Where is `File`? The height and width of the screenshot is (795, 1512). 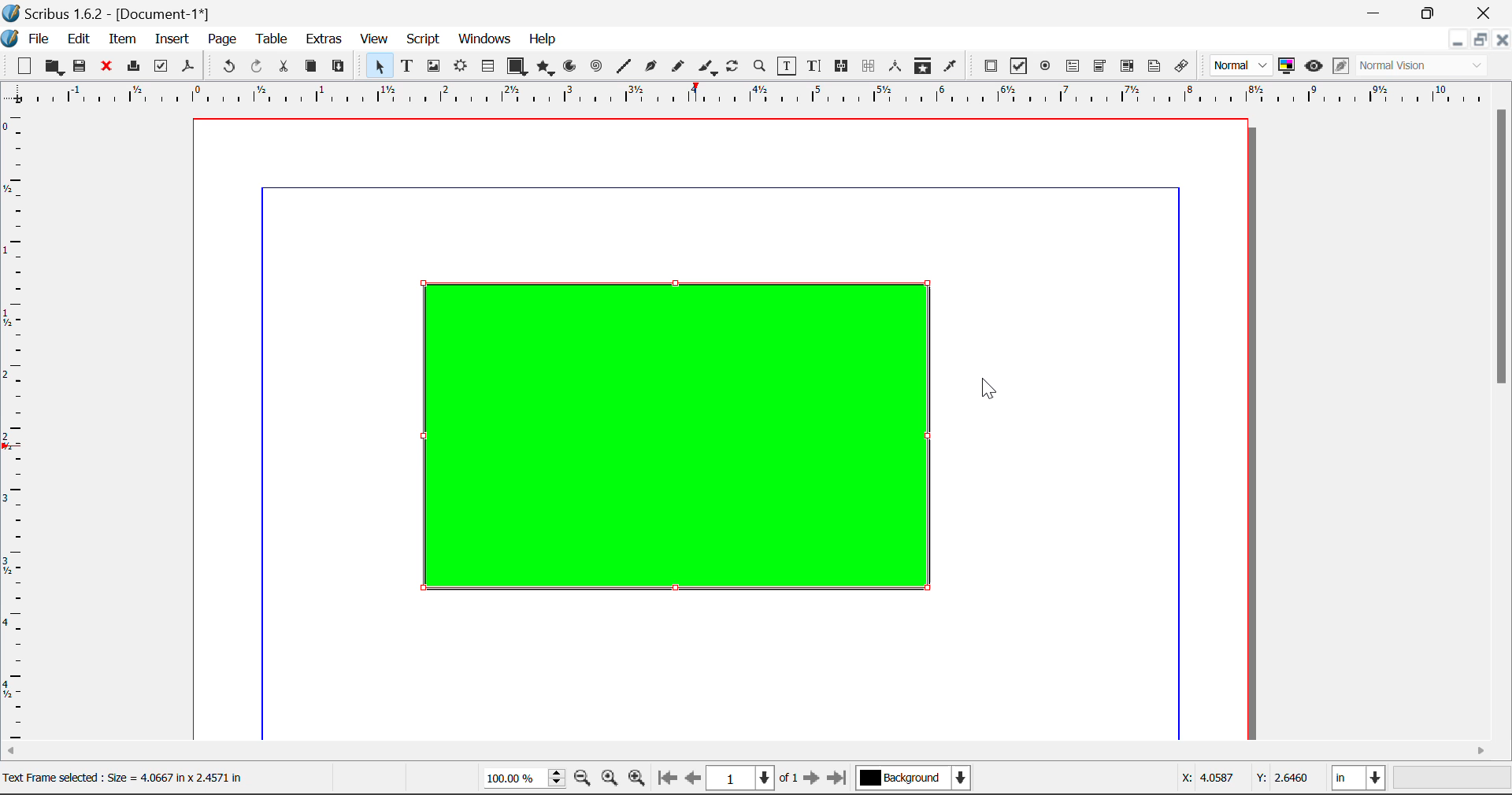
File is located at coordinates (28, 37).